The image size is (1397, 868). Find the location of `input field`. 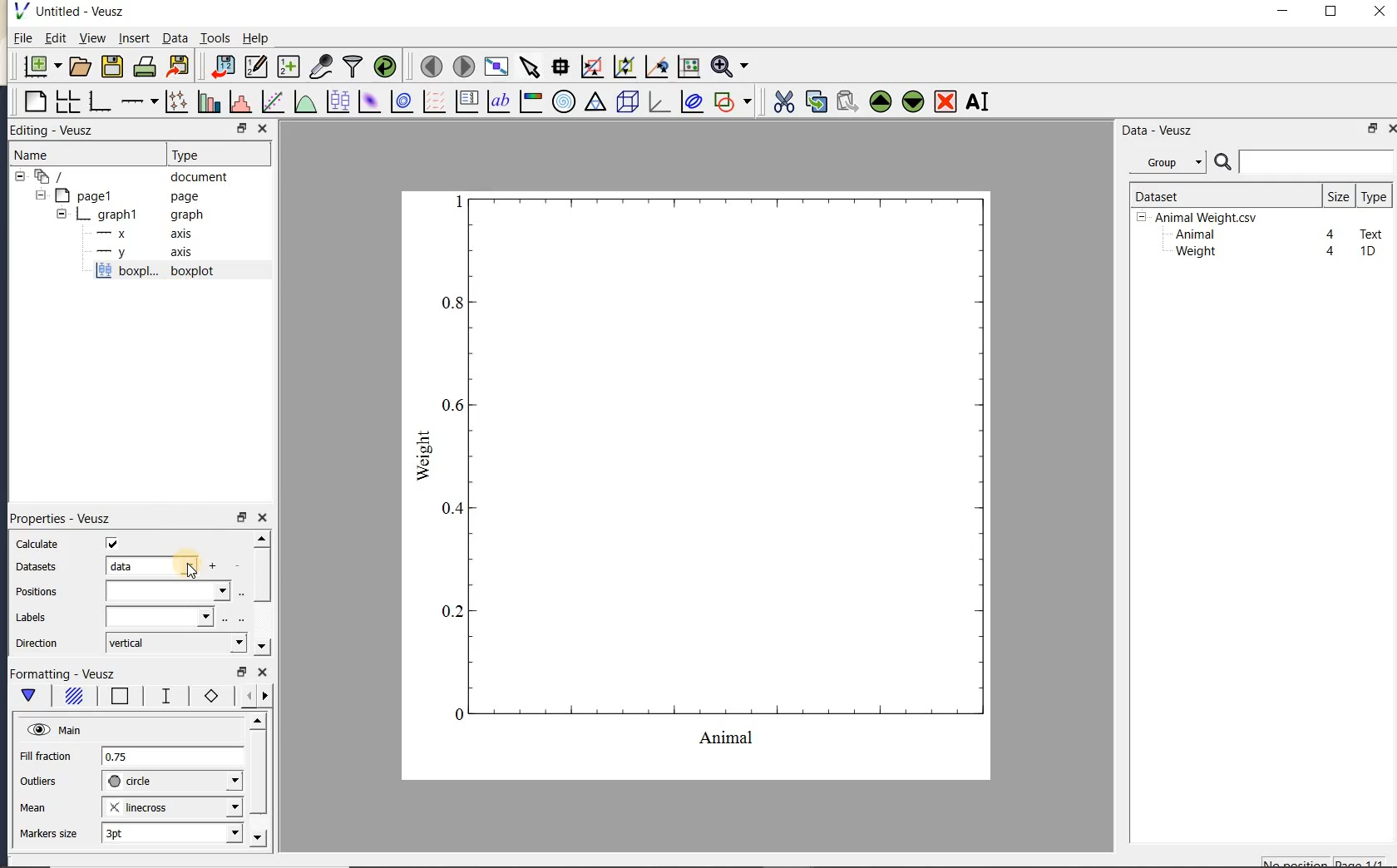

input field is located at coordinates (161, 616).